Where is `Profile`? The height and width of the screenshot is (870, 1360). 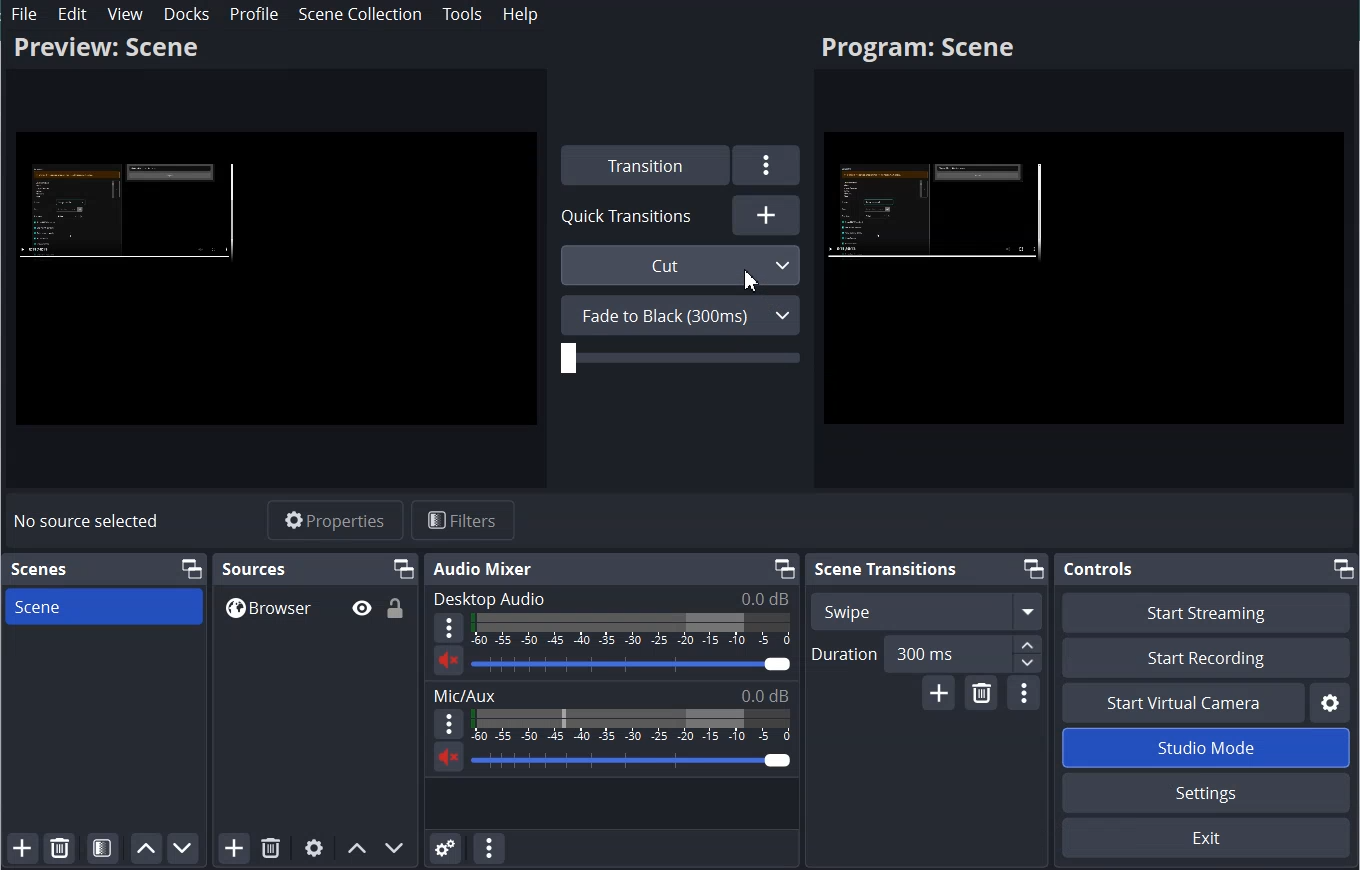 Profile is located at coordinates (253, 14).